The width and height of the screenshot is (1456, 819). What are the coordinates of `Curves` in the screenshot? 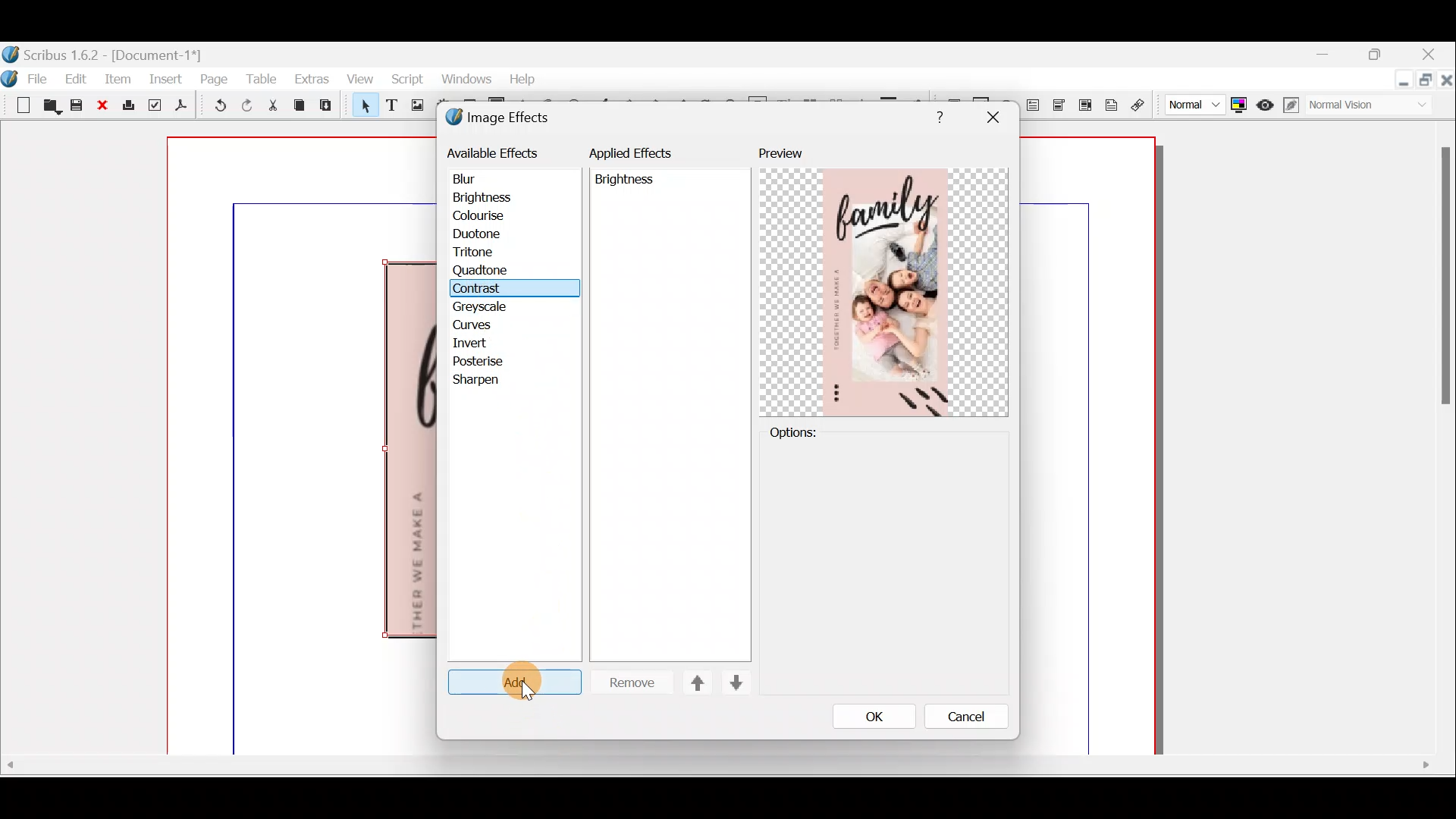 It's located at (483, 325).